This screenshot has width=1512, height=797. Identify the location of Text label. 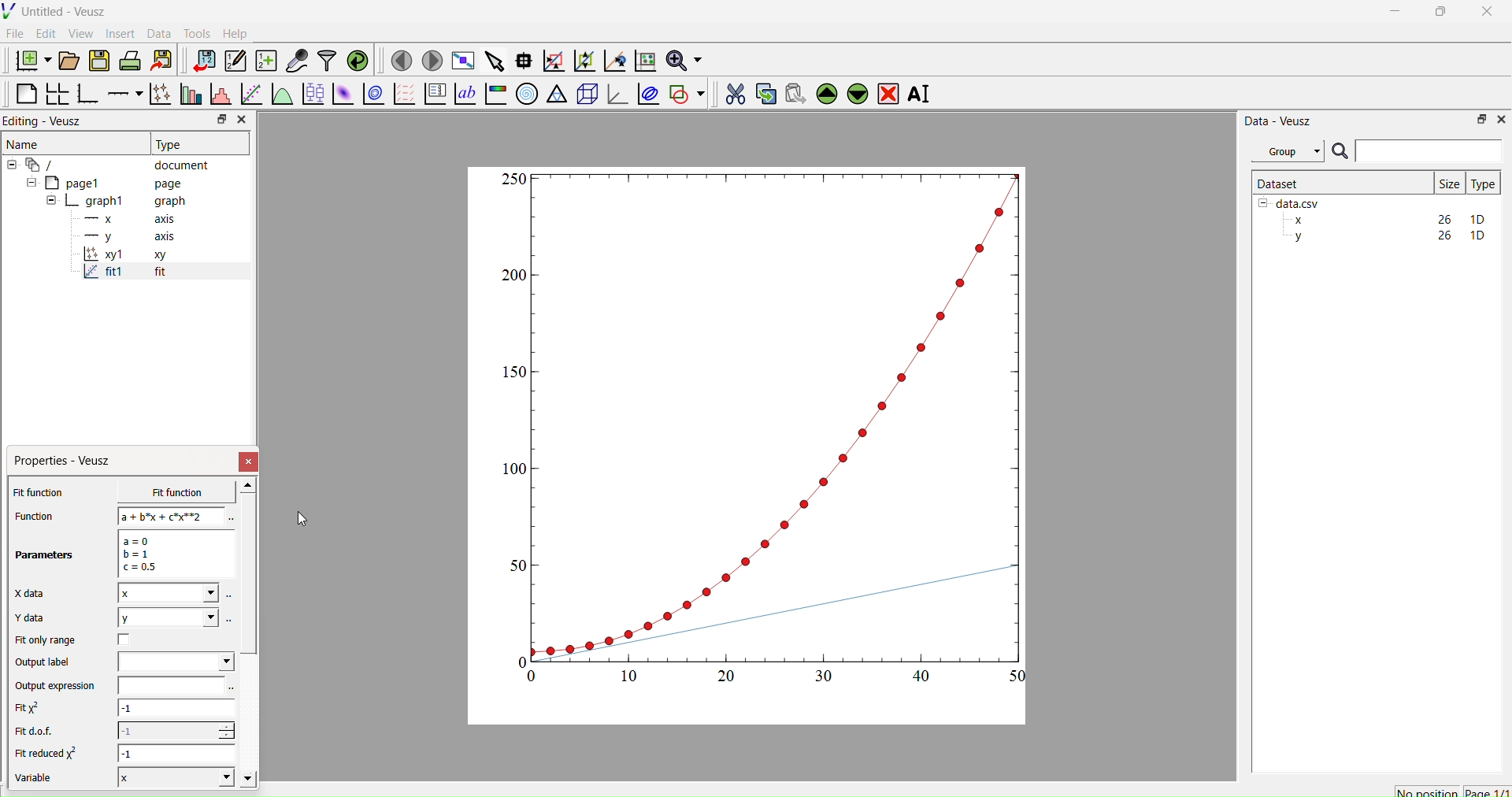
(464, 94).